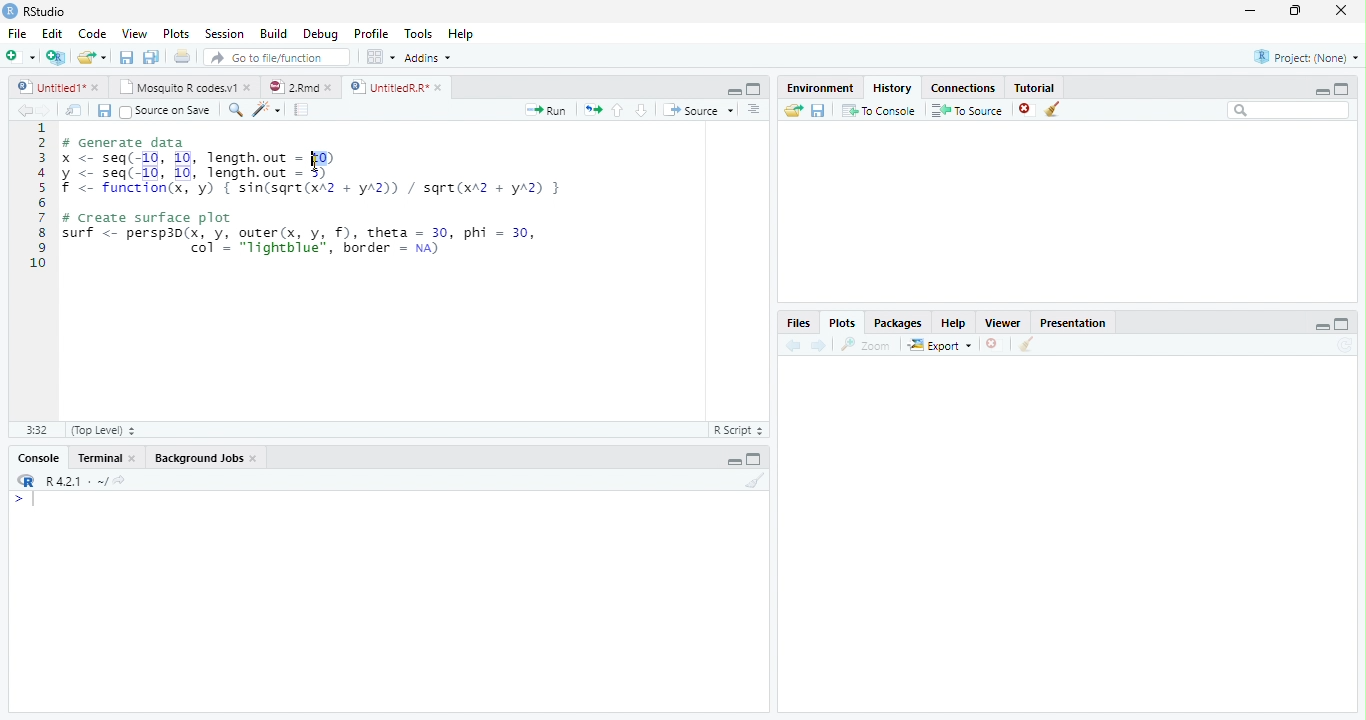 Image resolution: width=1366 pixels, height=720 pixels. Describe the element at coordinates (133, 458) in the screenshot. I see `Close` at that location.